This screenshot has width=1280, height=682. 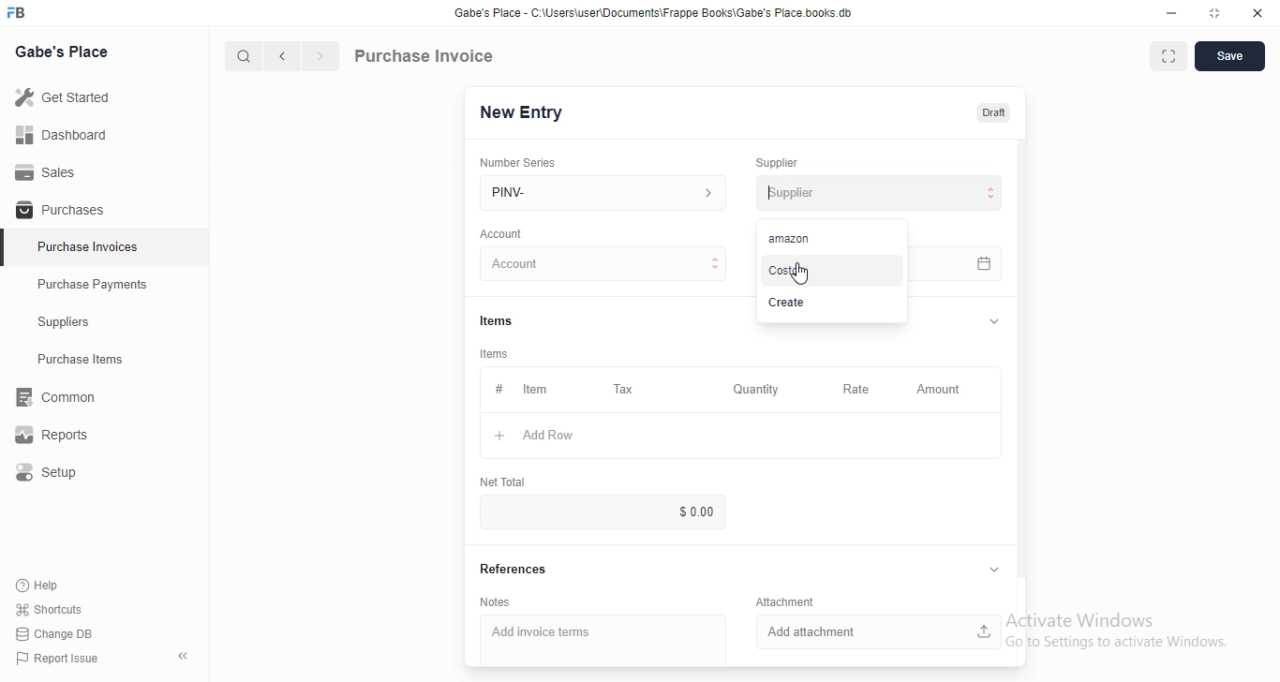 What do you see at coordinates (425, 55) in the screenshot?
I see `Purchase Invoice` at bounding box center [425, 55].